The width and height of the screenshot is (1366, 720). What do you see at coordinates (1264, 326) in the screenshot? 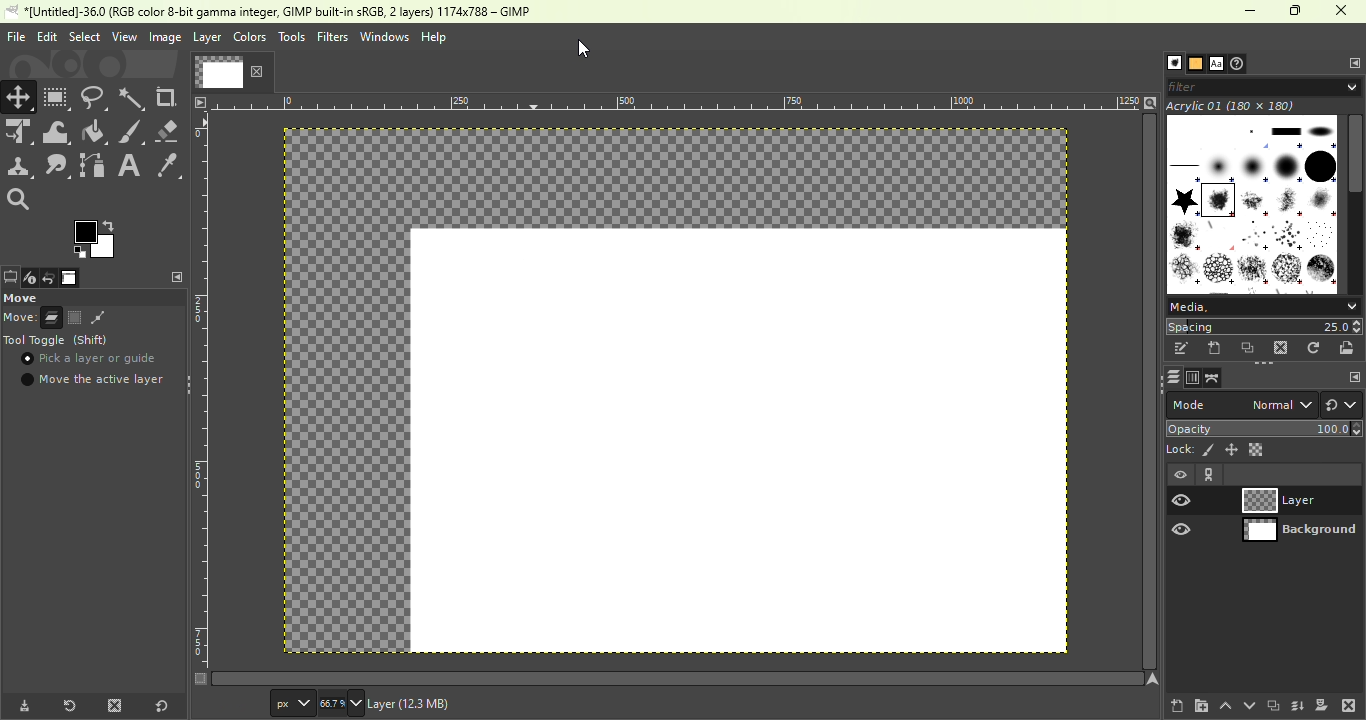
I see `Spacing` at bounding box center [1264, 326].